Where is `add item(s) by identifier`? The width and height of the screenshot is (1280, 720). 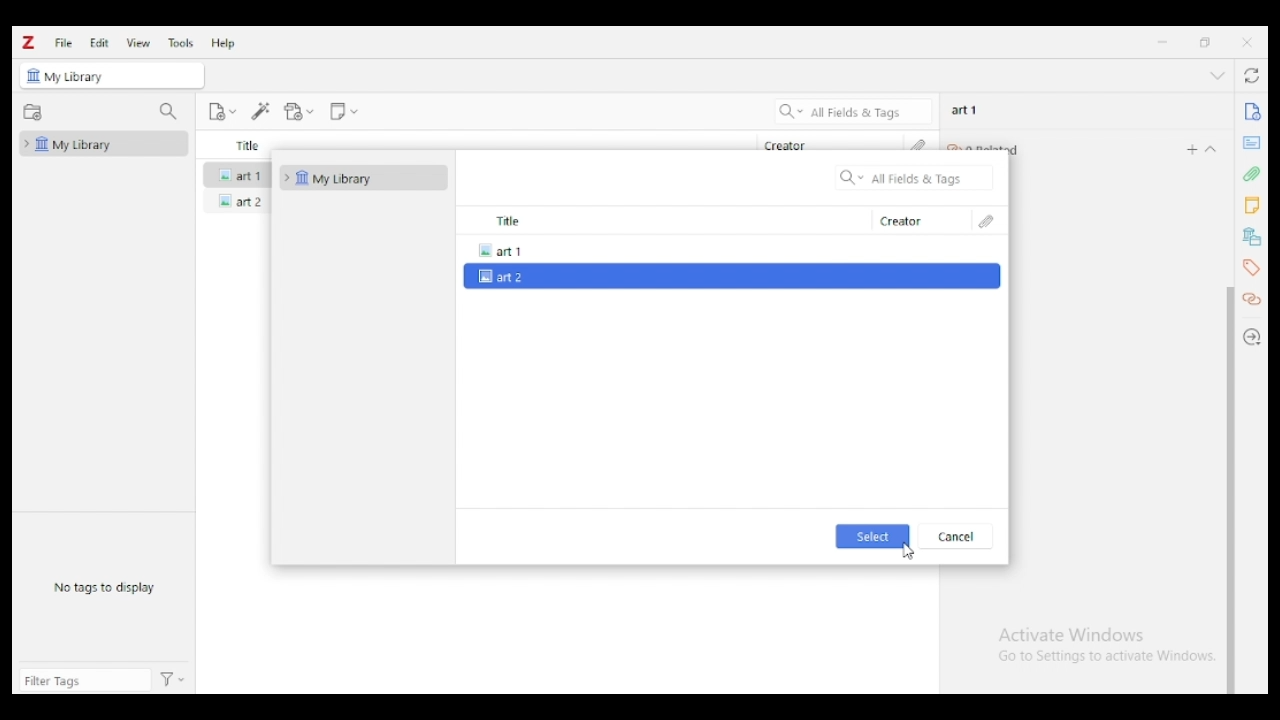 add item(s) by identifier is located at coordinates (262, 112).